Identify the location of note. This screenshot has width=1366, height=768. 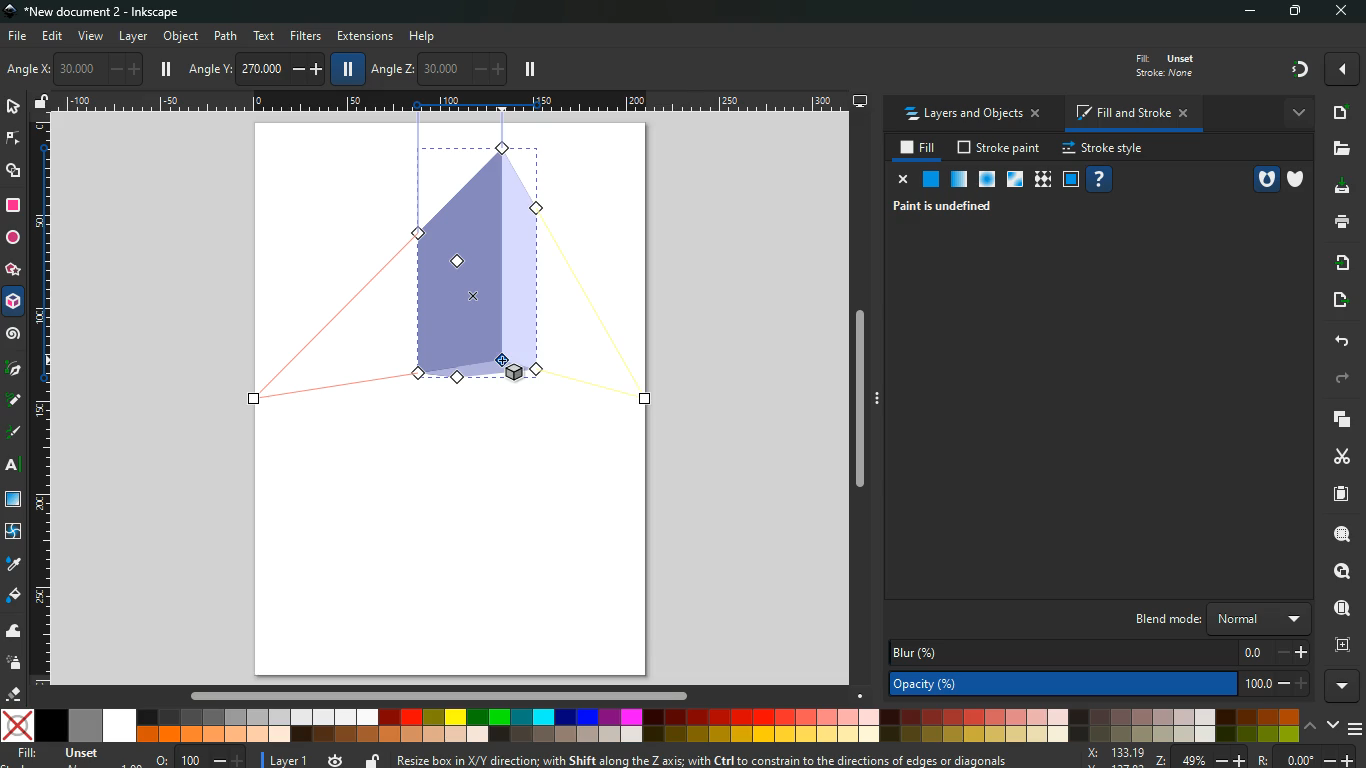
(16, 399).